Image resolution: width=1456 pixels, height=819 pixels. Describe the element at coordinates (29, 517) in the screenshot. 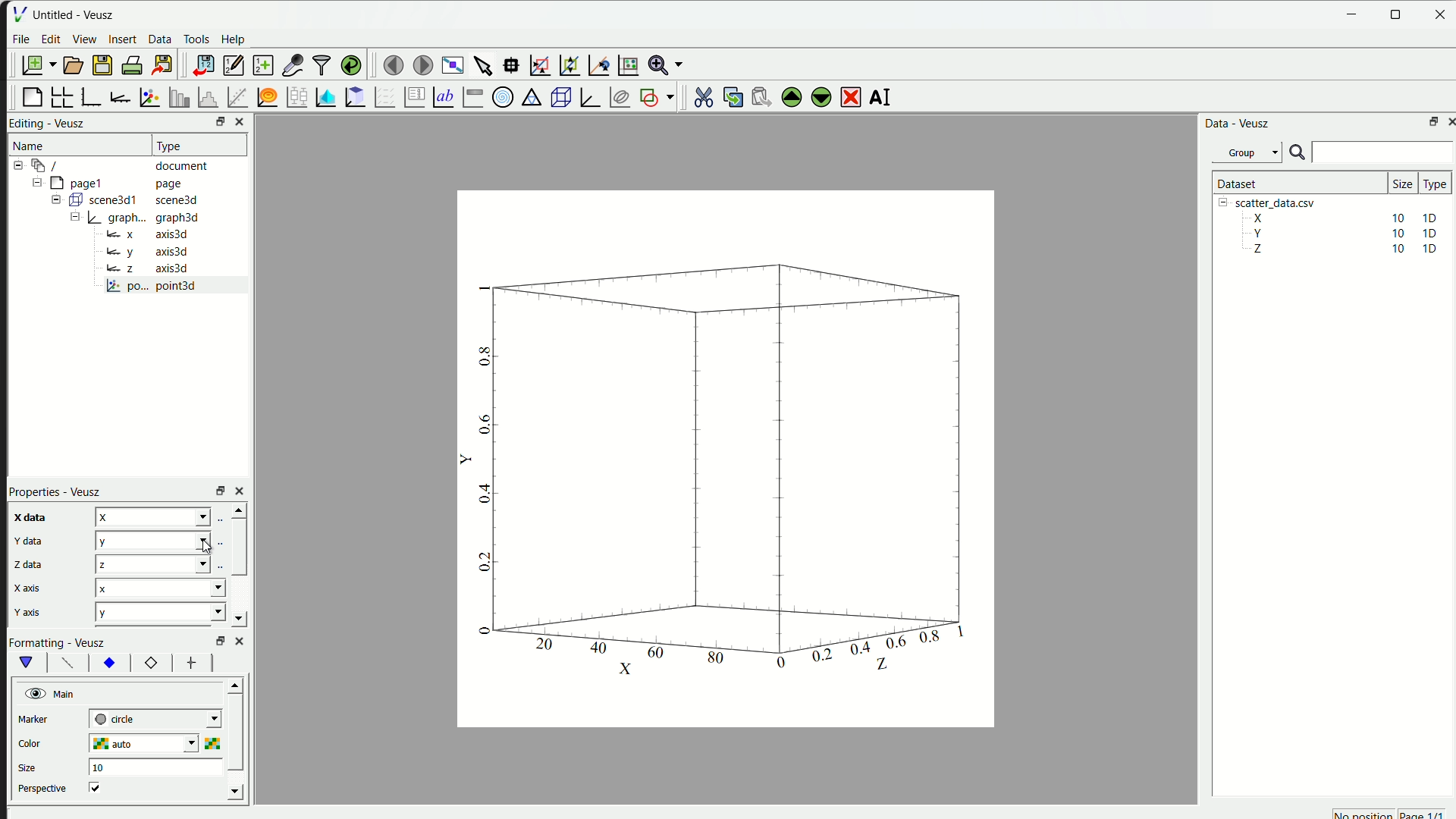

I see `x data` at that location.